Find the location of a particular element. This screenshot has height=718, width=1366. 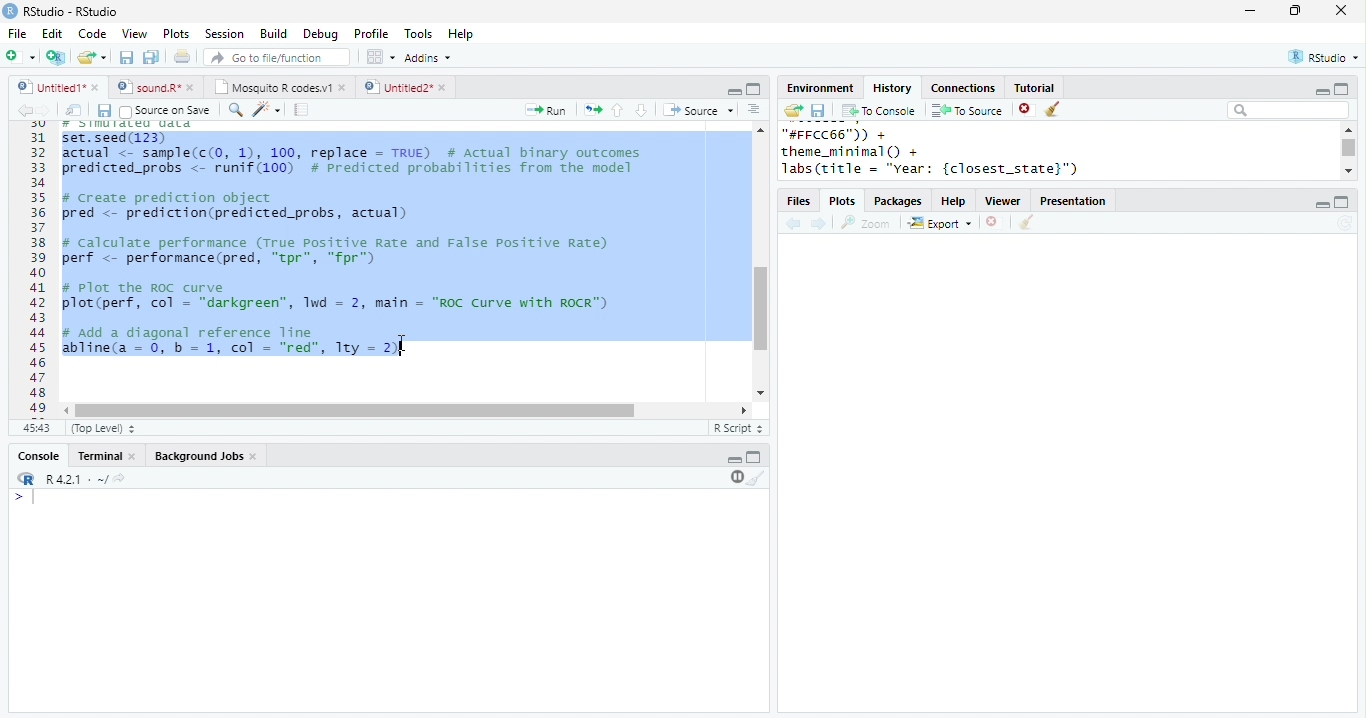

simulated data set.seed(123) actual <- sample(c(0, 1), 100, replace = TRUE) # Actual binary outcomespredicted probs < runif(100) # Predicted probabilities from the model is located at coordinates (355, 148).